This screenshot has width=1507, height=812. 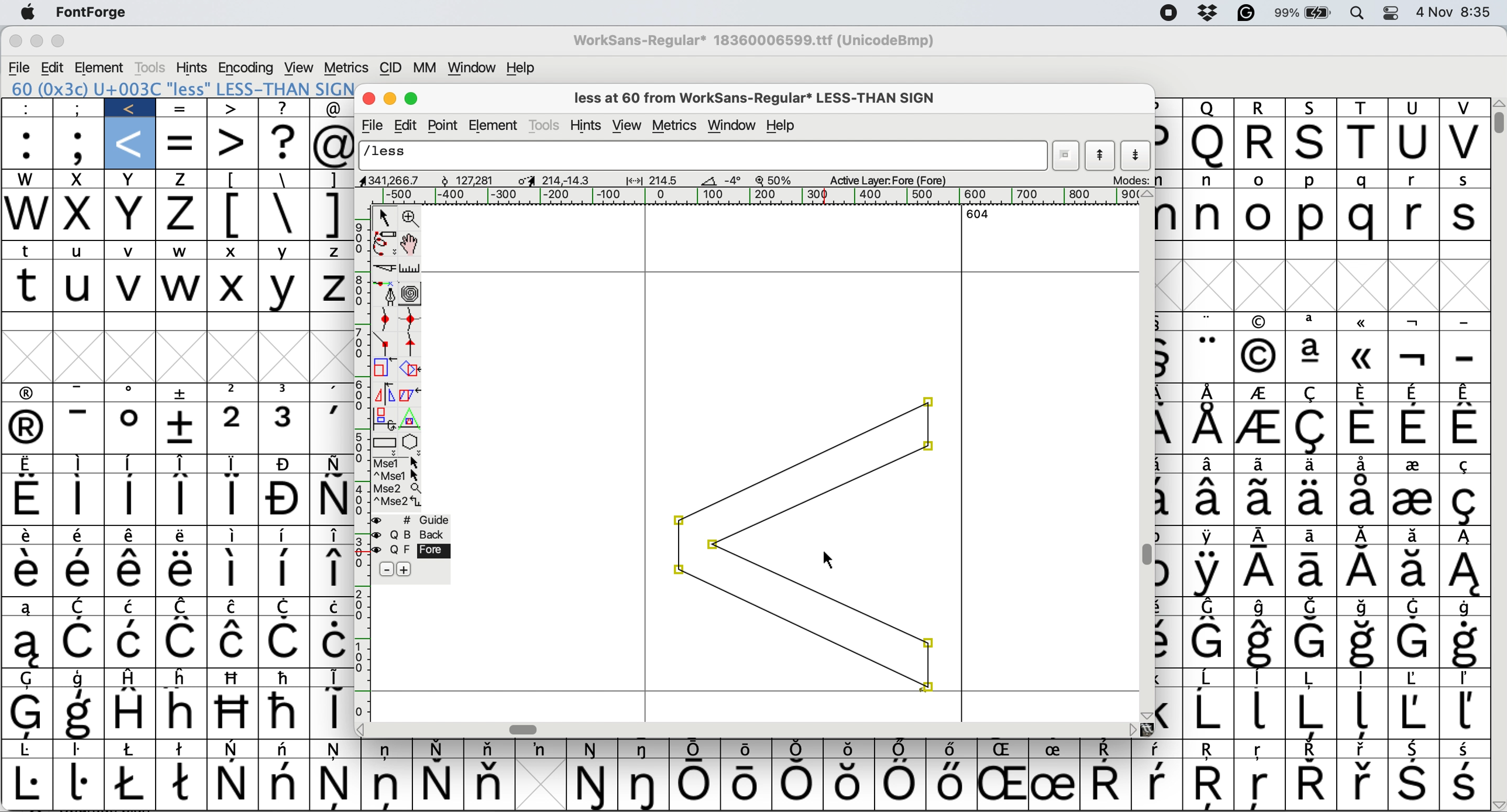 What do you see at coordinates (285, 536) in the screenshot?
I see `Symbol` at bounding box center [285, 536].